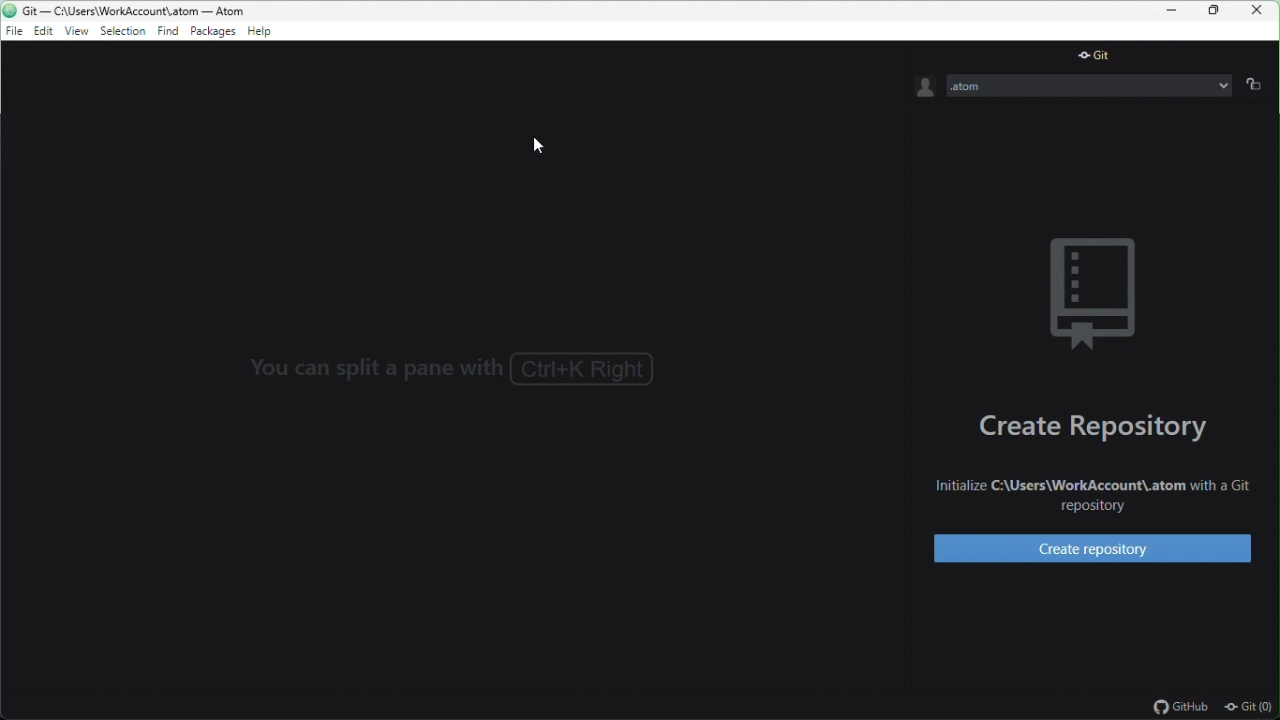 Image resolution: width=1280 pixels, height=720 pixels. Describe the element at coordinates (1216, 10) in the screenshot. I see `restore` at that location.